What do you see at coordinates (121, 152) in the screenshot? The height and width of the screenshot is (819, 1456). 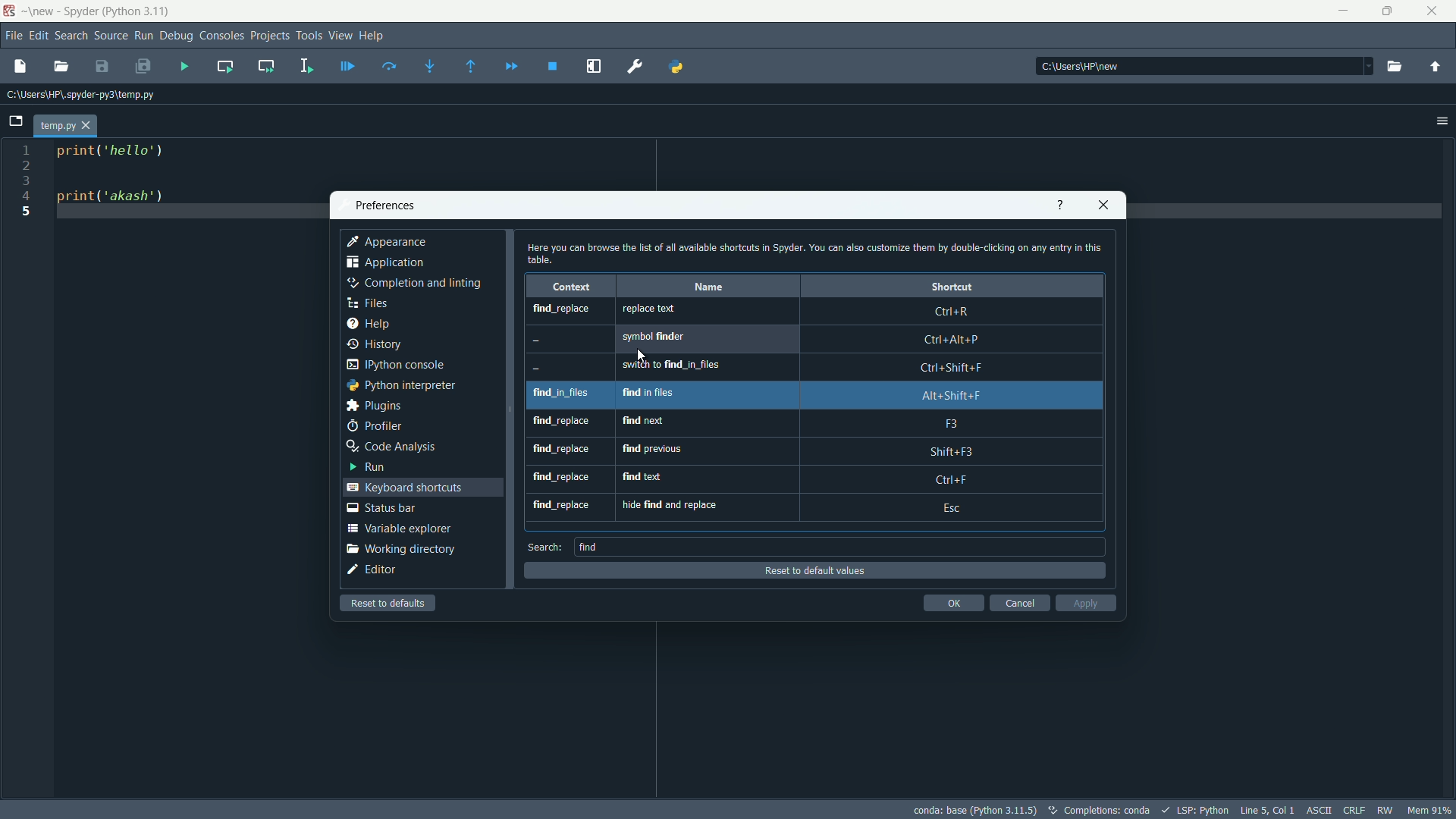 I see `print ('hello') ` at bounding box center [121, 152].